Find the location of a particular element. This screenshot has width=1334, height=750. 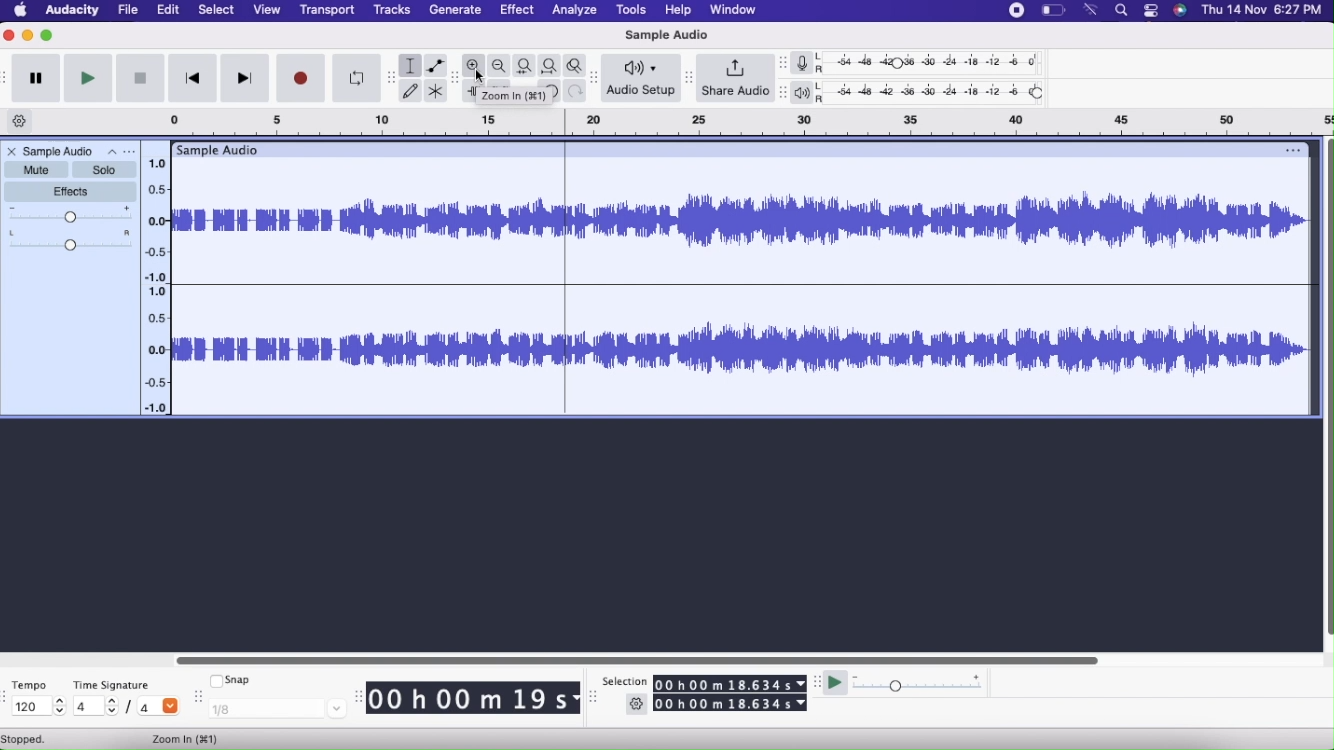

Tracks is located at coordinates (391, 10).